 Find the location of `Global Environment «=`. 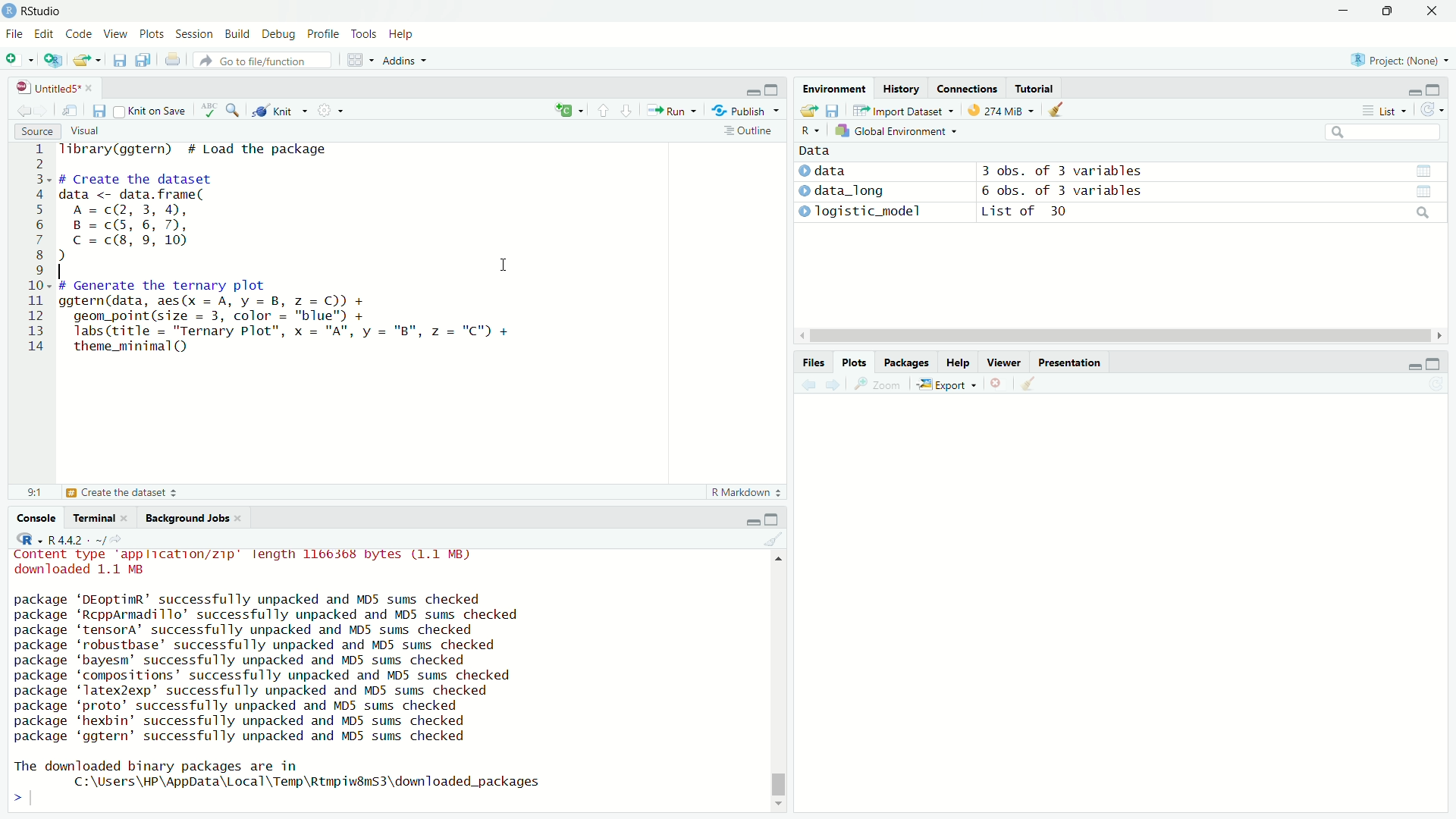

Global Environment «= is located at coordinates (898, 130).